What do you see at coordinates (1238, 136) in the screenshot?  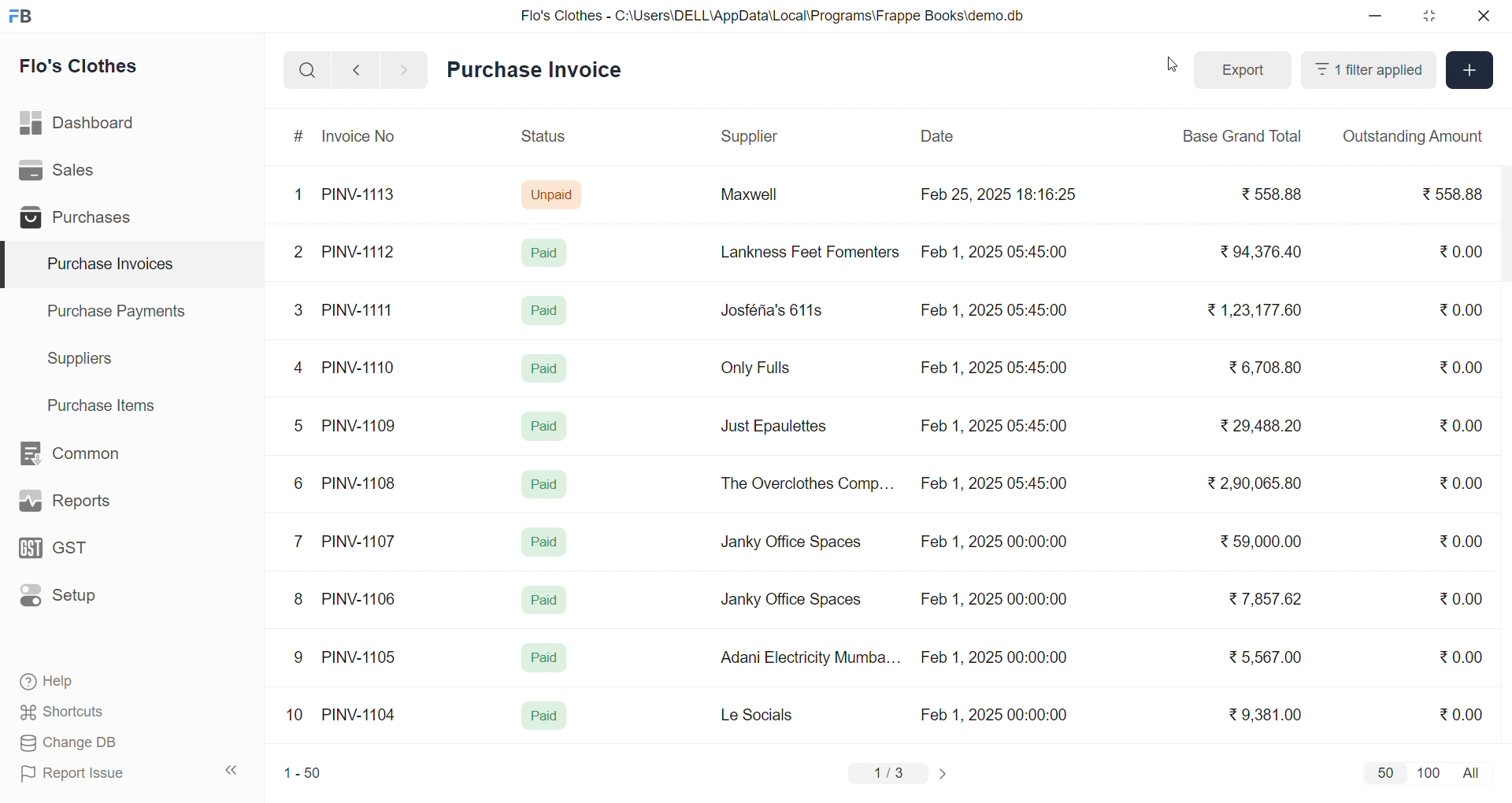 I see `Base Grand Total` at bounding box center [1238, 136].